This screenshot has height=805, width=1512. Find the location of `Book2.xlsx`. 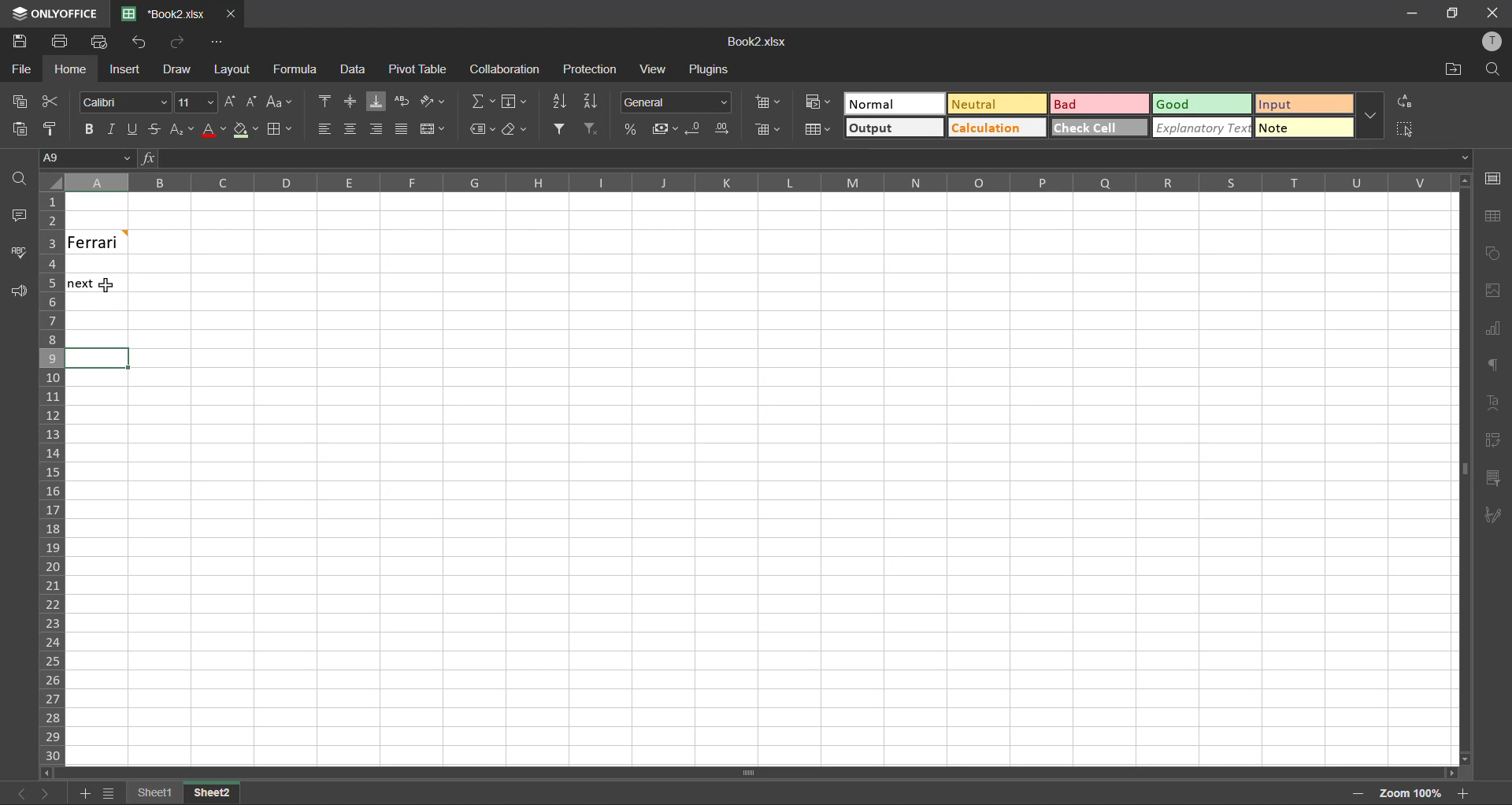

Book2.xlsx is located at coordinates (755, 43).